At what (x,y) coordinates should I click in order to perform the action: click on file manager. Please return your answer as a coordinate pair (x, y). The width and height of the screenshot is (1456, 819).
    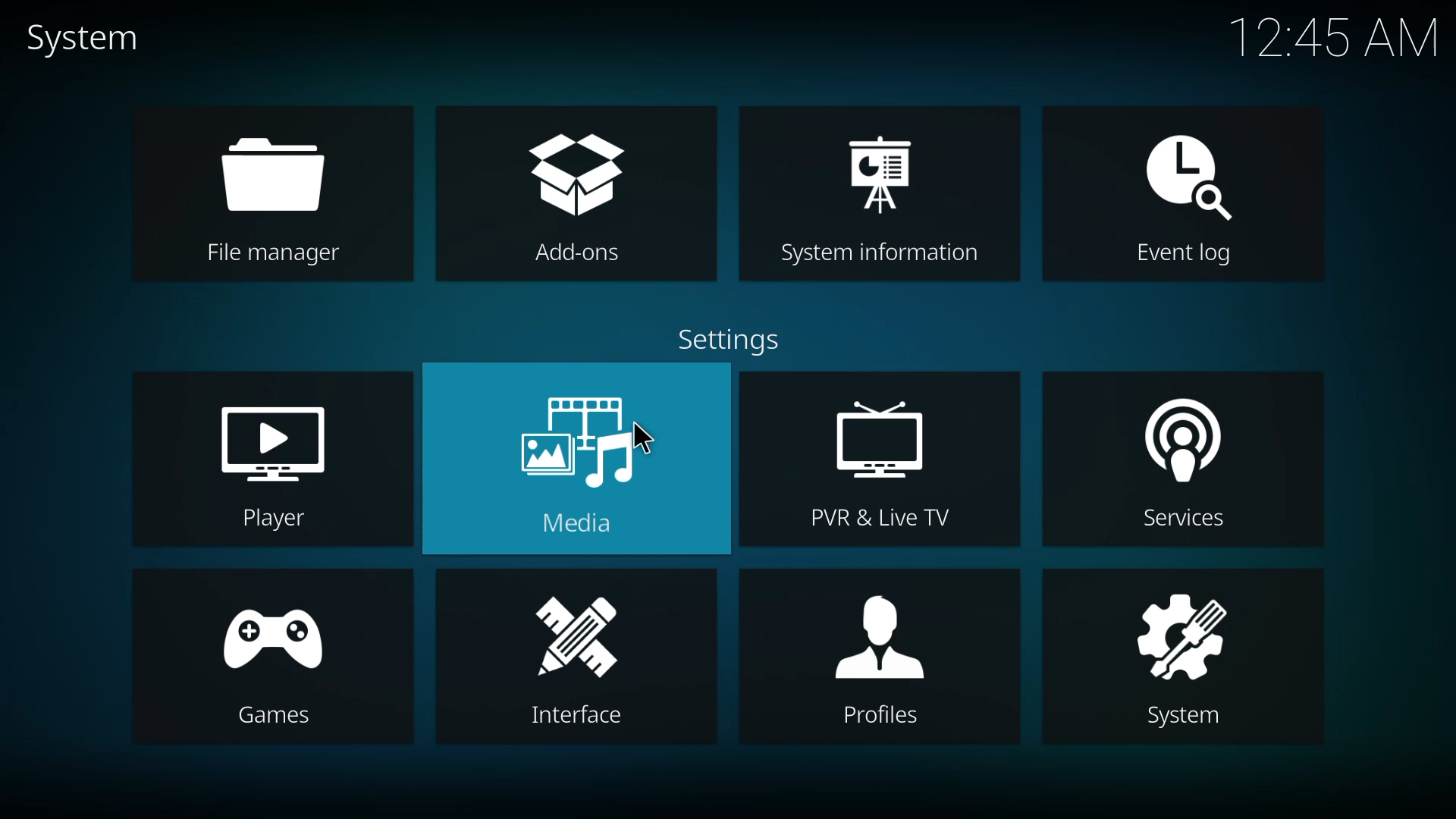
    Looking at the image, I should click on (270, 193).